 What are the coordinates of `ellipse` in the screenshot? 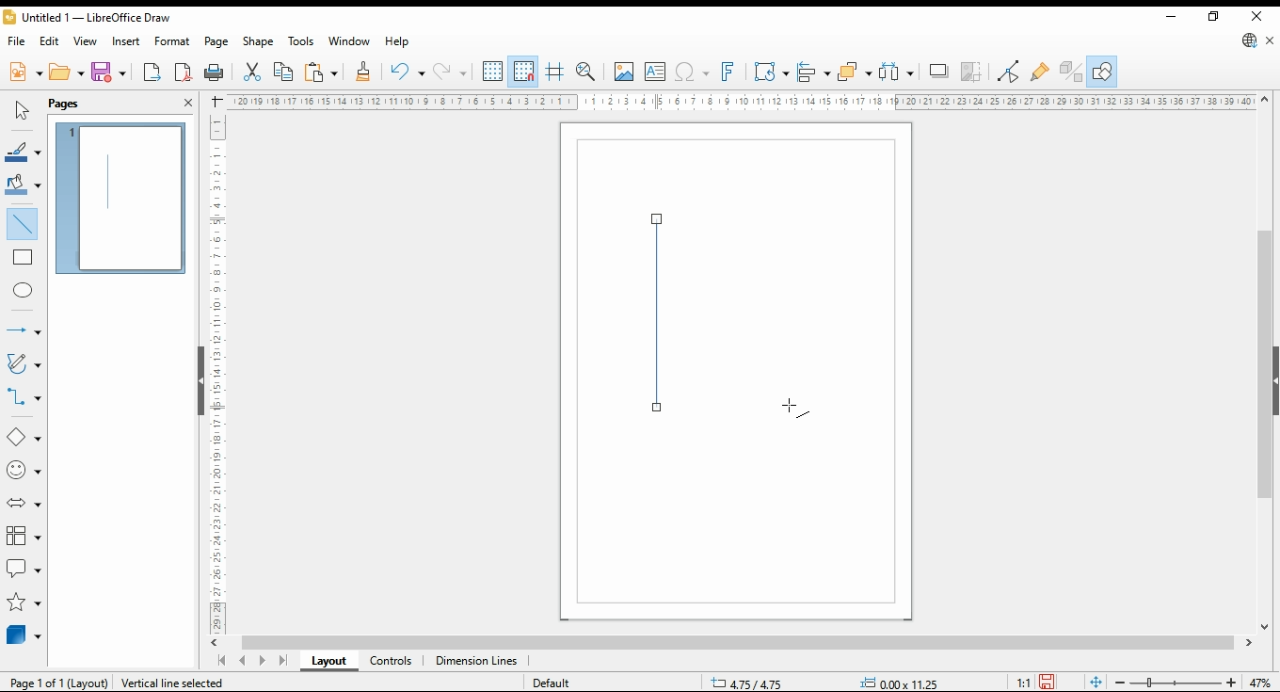 It's located at (25, 290).